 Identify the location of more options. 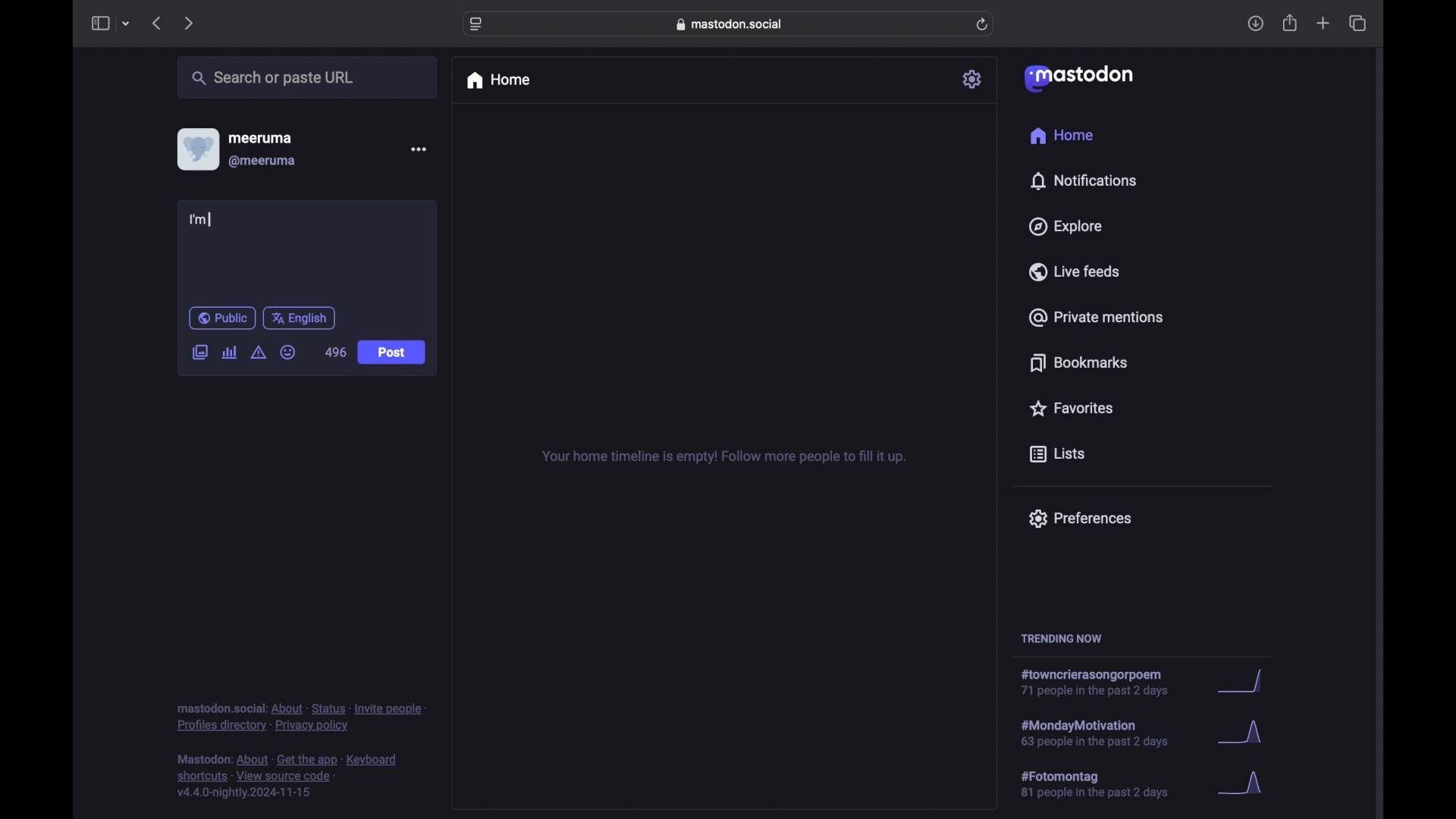
(418, 149).